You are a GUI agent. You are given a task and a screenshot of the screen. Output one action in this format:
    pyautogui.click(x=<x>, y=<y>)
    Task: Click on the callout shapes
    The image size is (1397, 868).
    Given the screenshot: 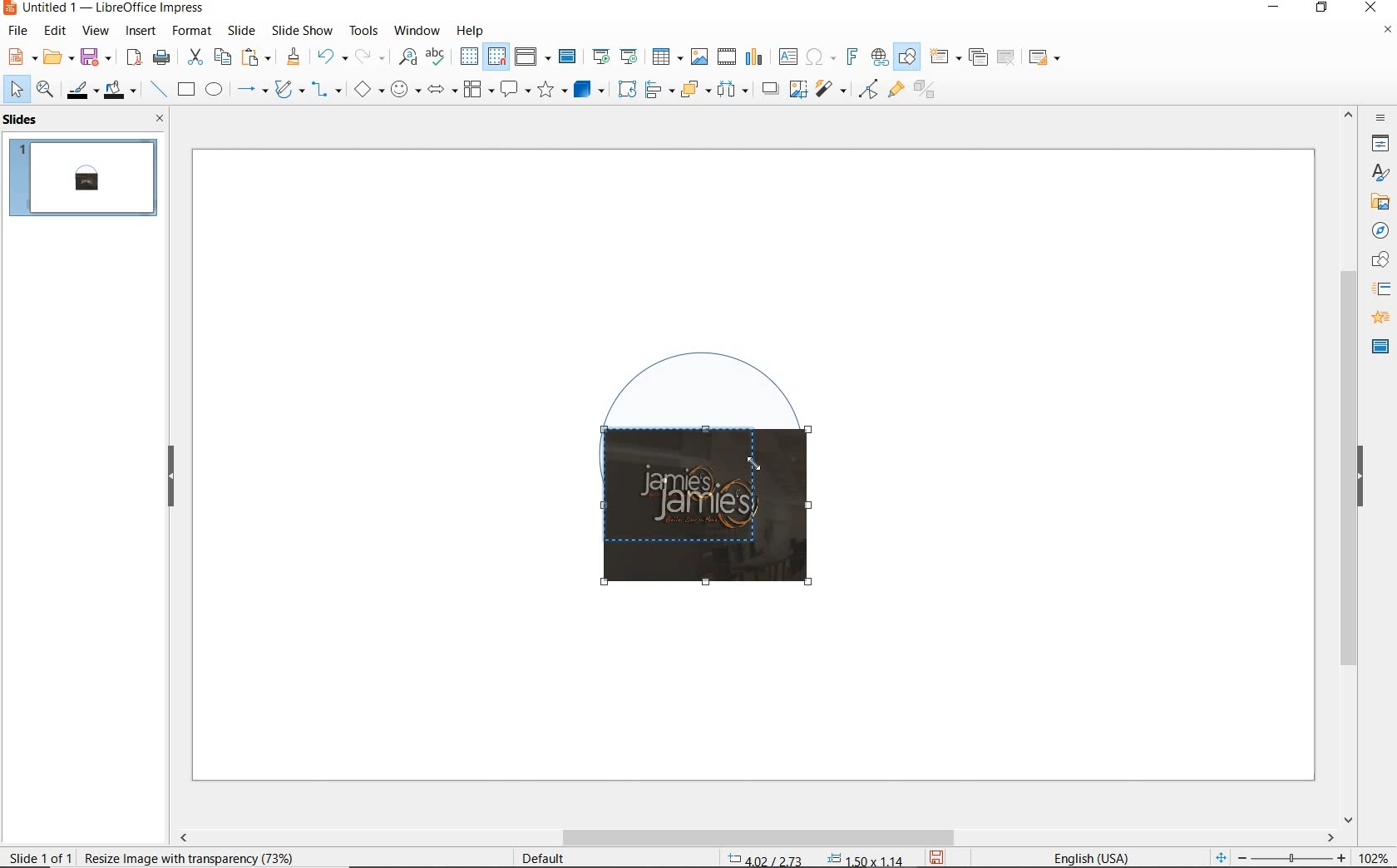 What is the action you would take?
    pyautogui.click(x=512, y=91)
    